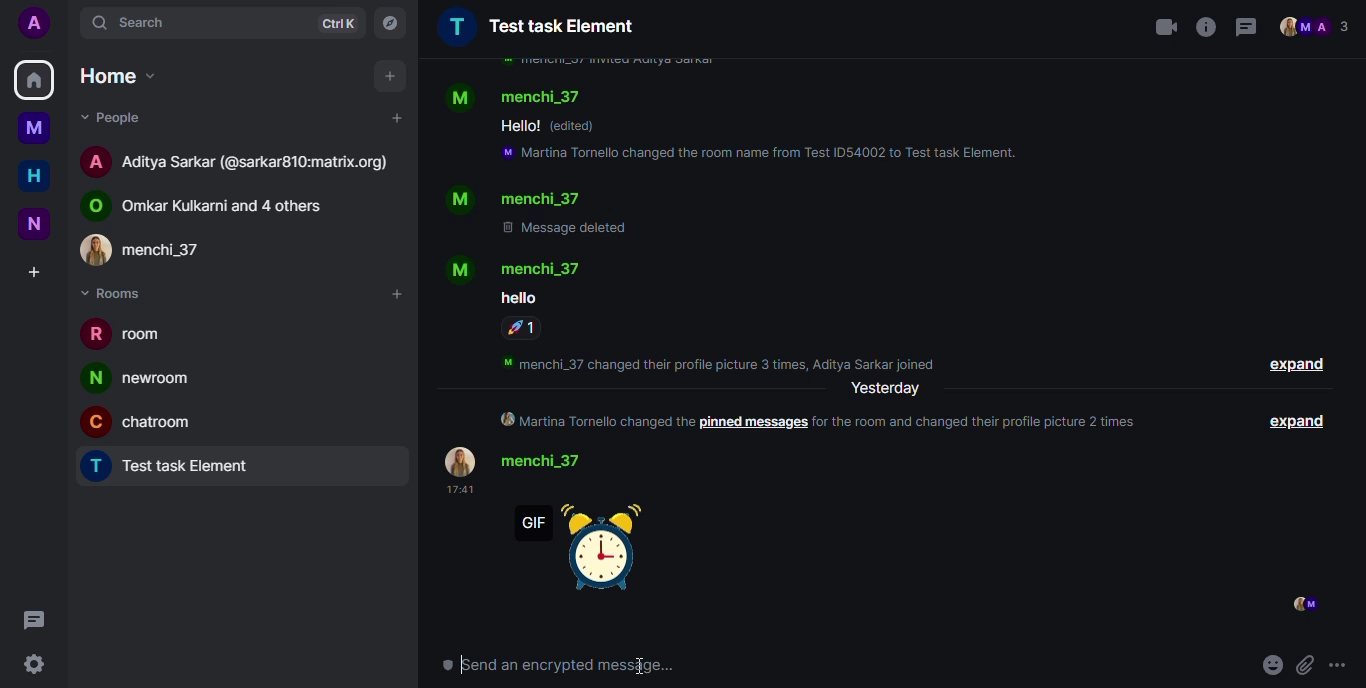 This screenshot has width=1366, height=688. Describe the element at coordinates (130, 337) in the screenshot. I see `room` at that location.